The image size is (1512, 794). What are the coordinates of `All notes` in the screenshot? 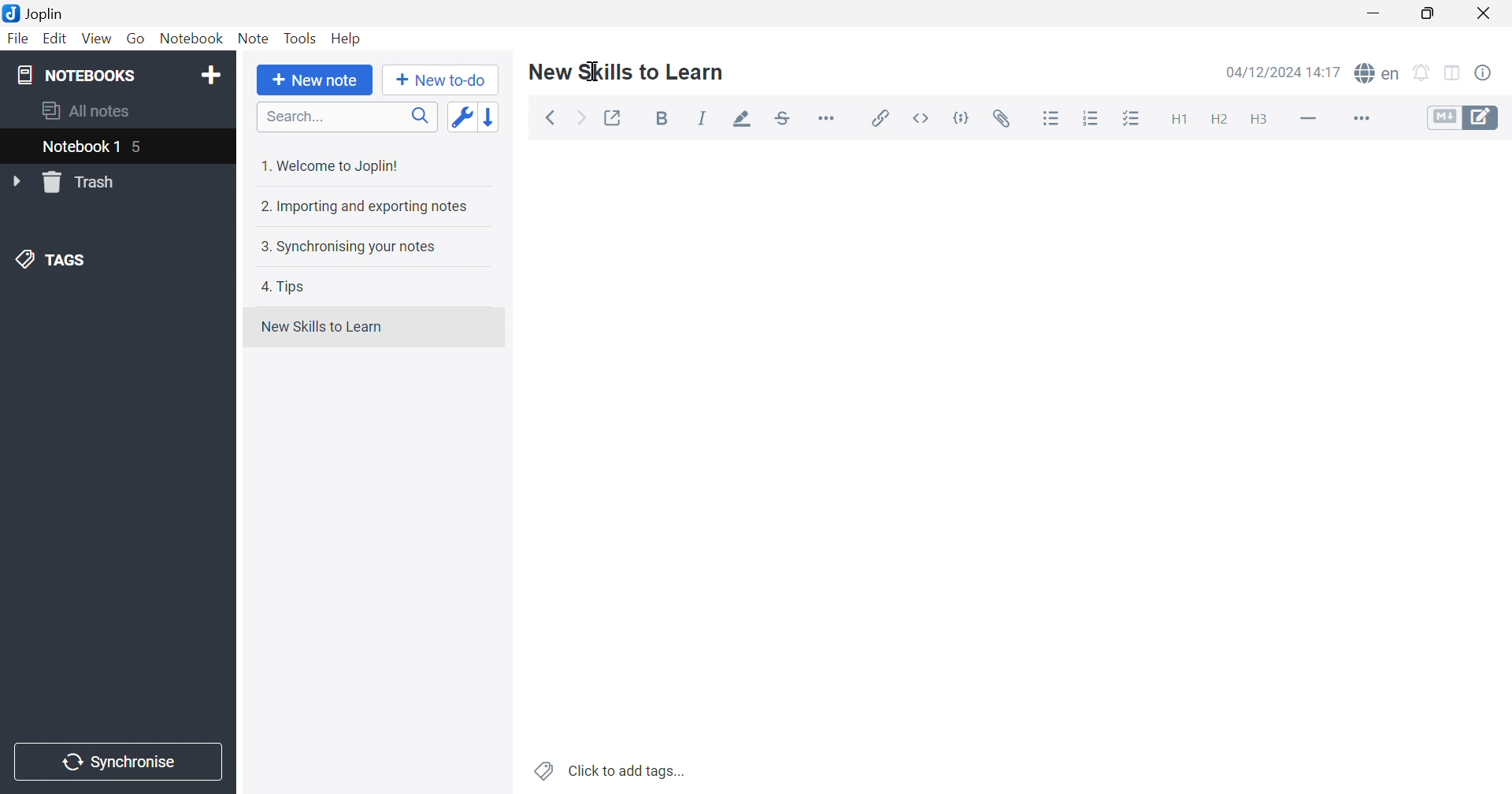 It's located at (87, 109).